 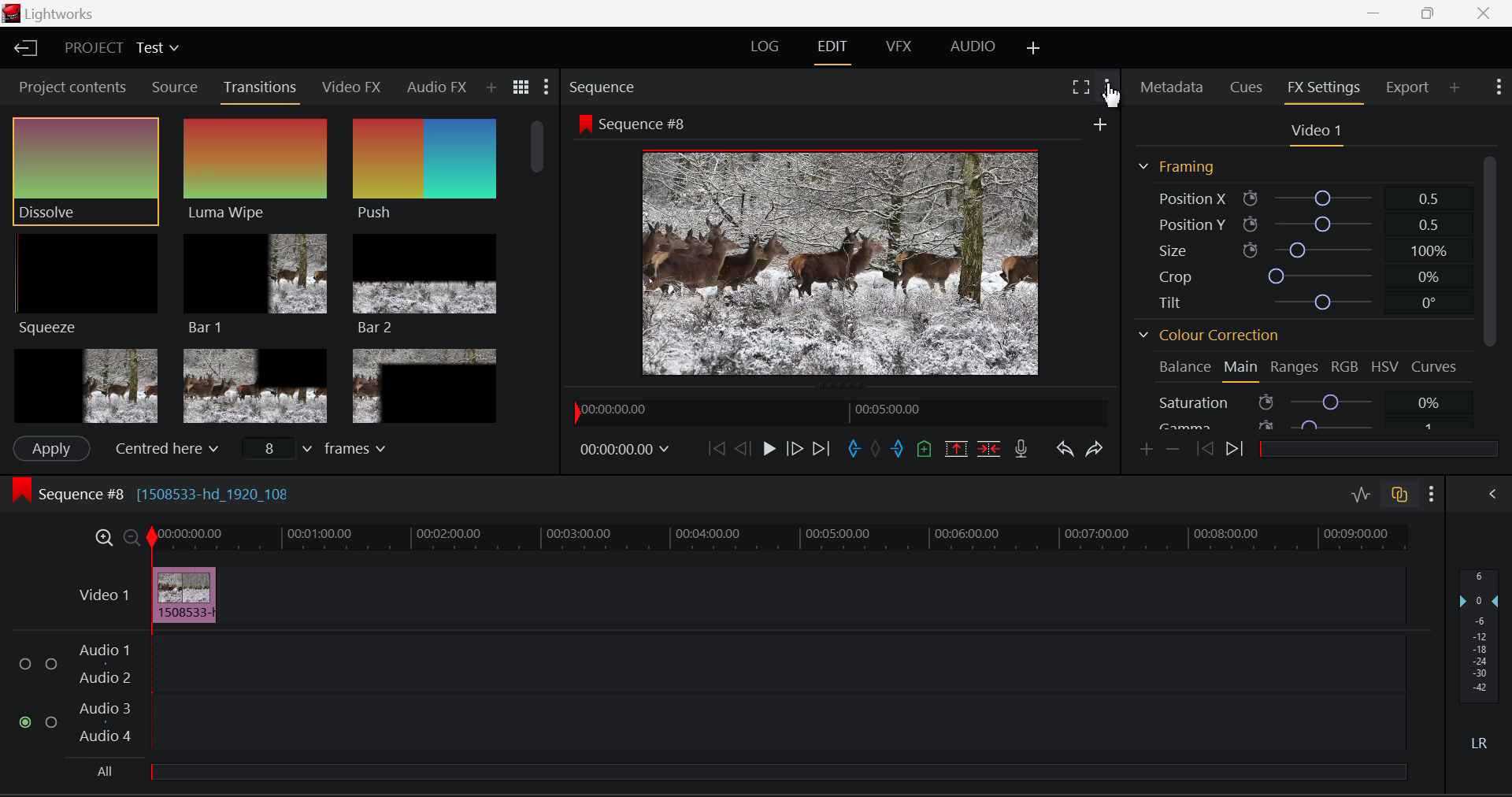 I want to click on Go Forward, so click(x=792, y=449).